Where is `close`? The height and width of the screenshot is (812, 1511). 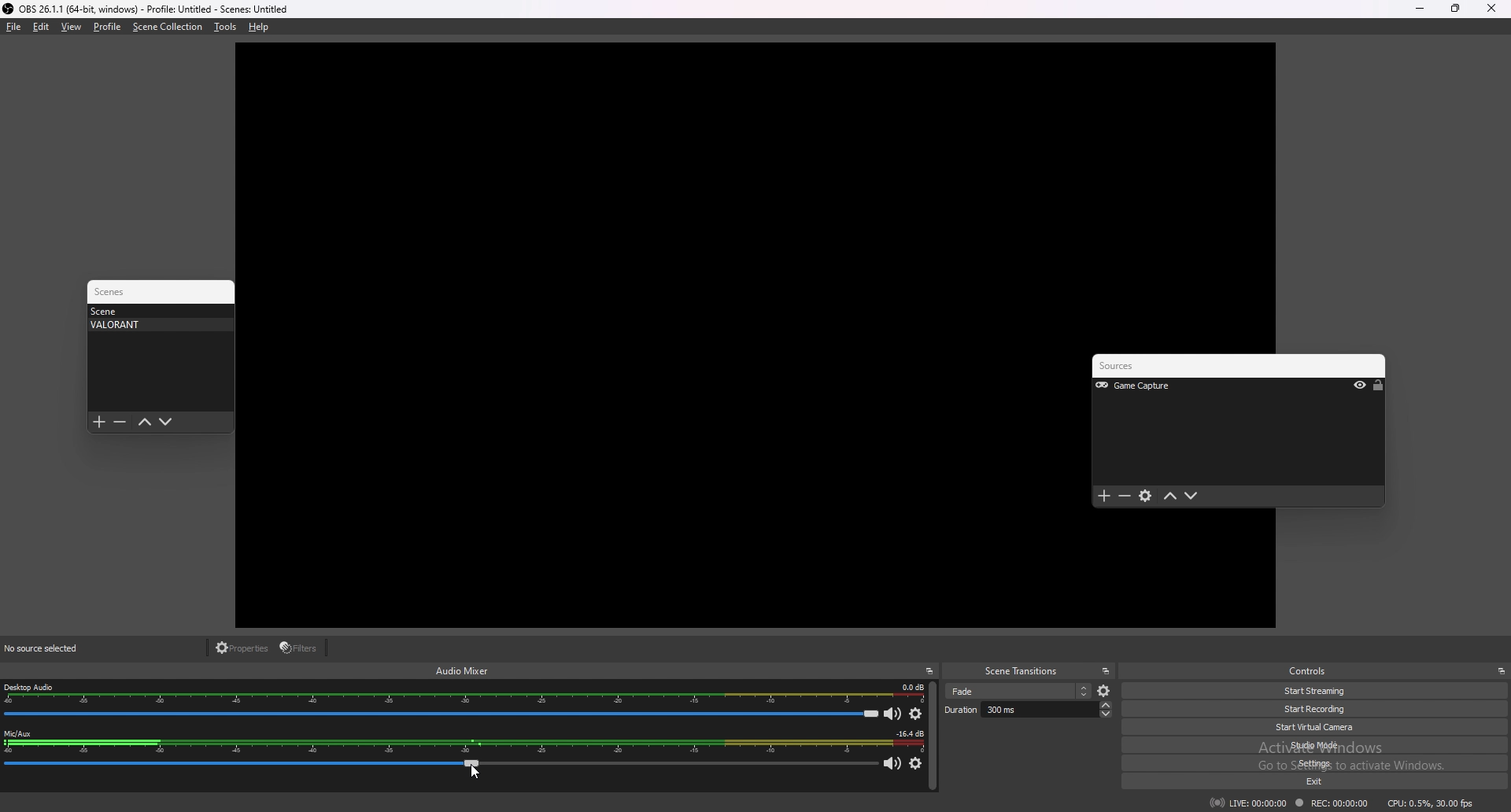
close is located at coordinates (1491, 9).